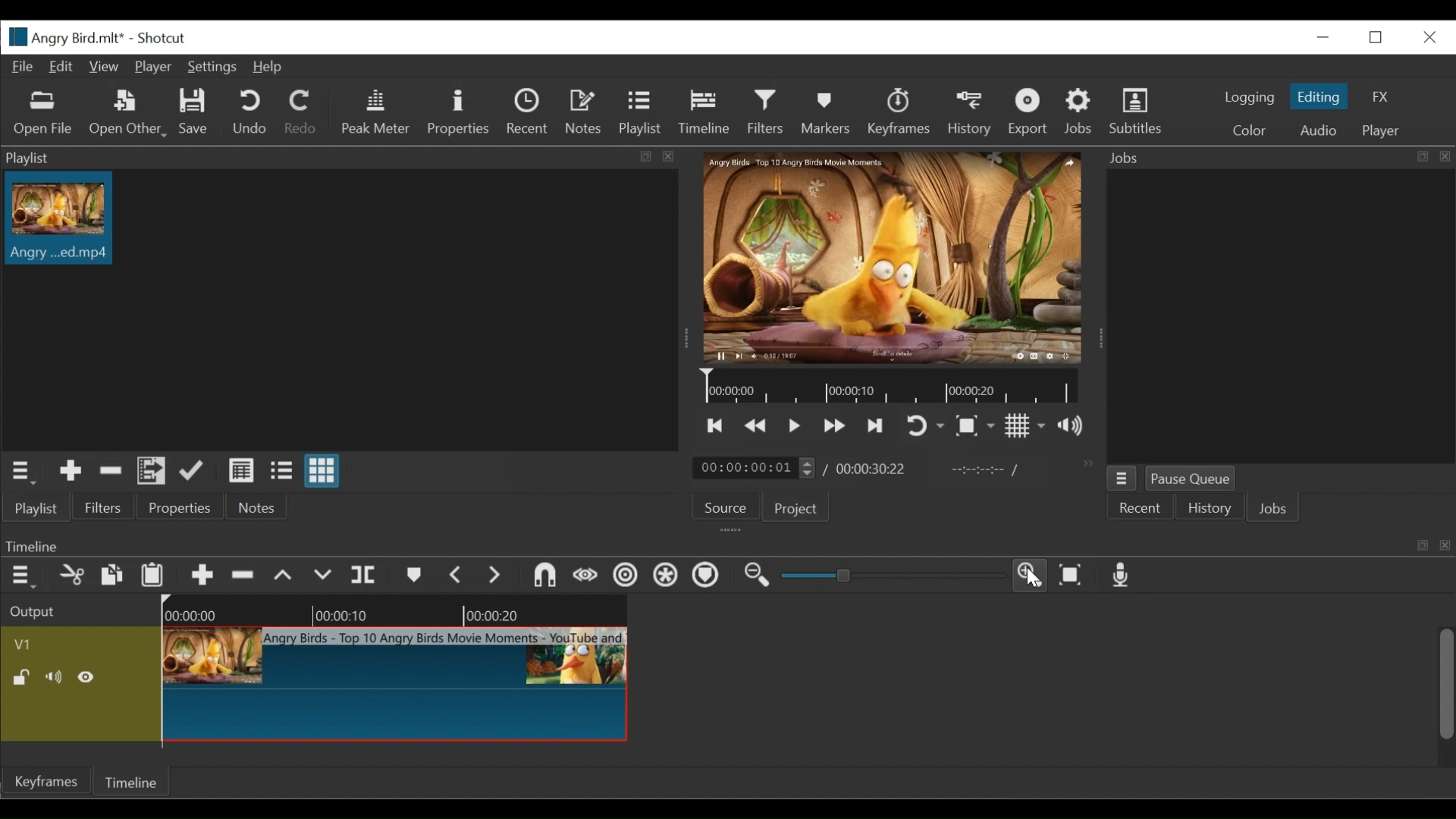 Image resolution: width=1456 pixels, height=819 pixels. I want to click on Redo, so click(301, 113).